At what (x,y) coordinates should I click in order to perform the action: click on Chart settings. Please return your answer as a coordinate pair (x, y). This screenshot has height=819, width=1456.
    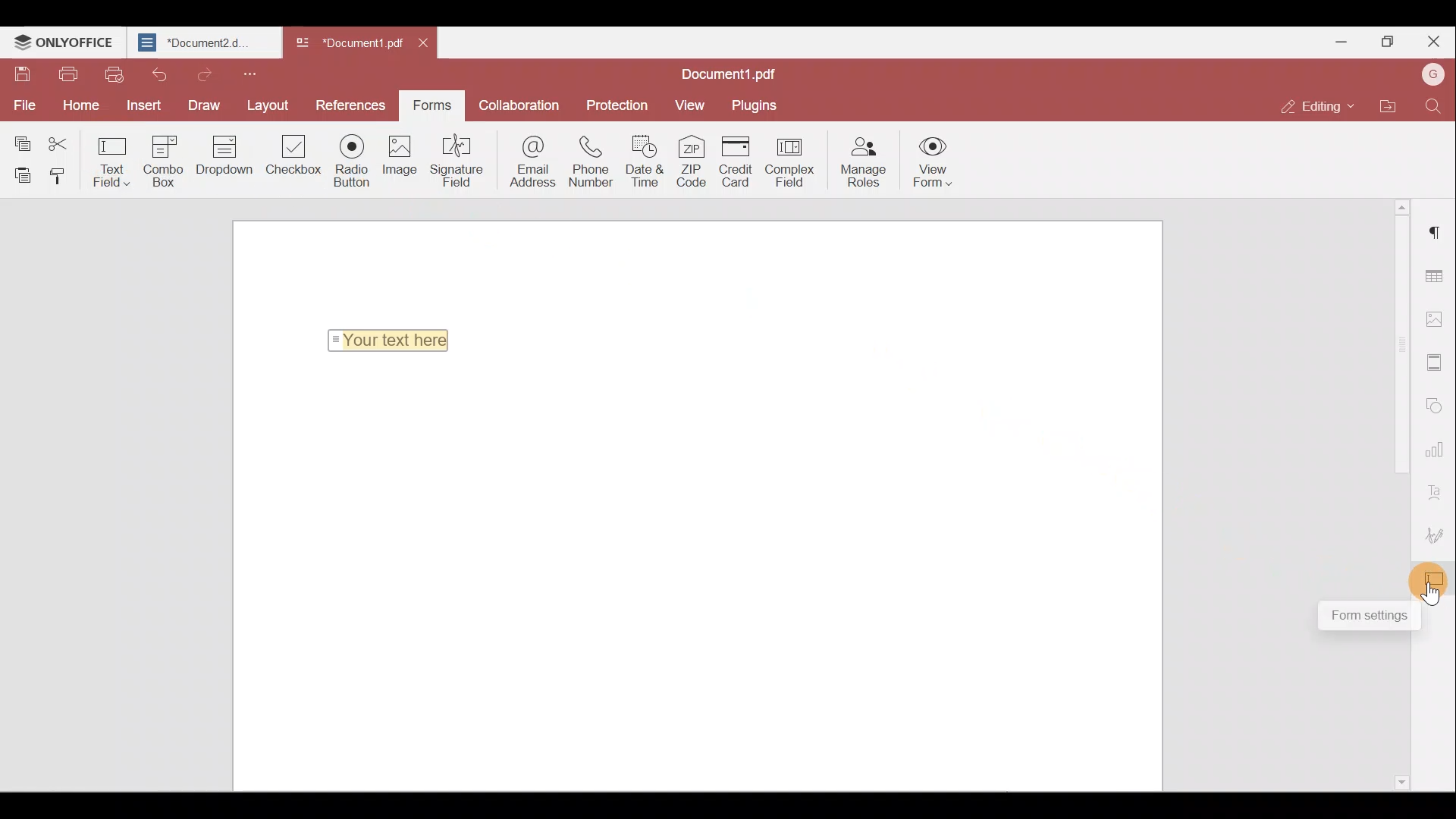
    Looking at the image, I should click on (1437, 448).